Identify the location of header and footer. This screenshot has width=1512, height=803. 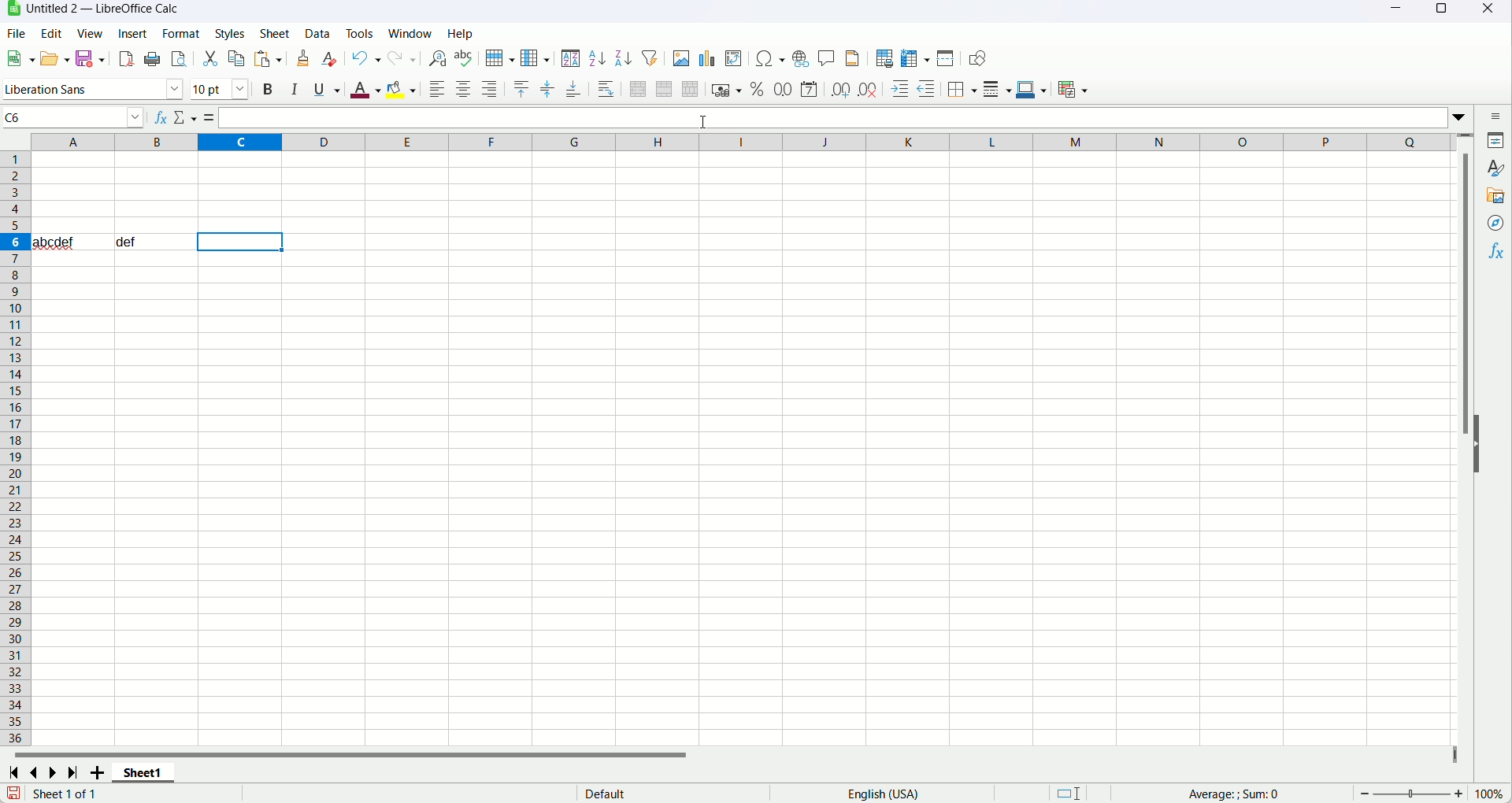
(854, 59).